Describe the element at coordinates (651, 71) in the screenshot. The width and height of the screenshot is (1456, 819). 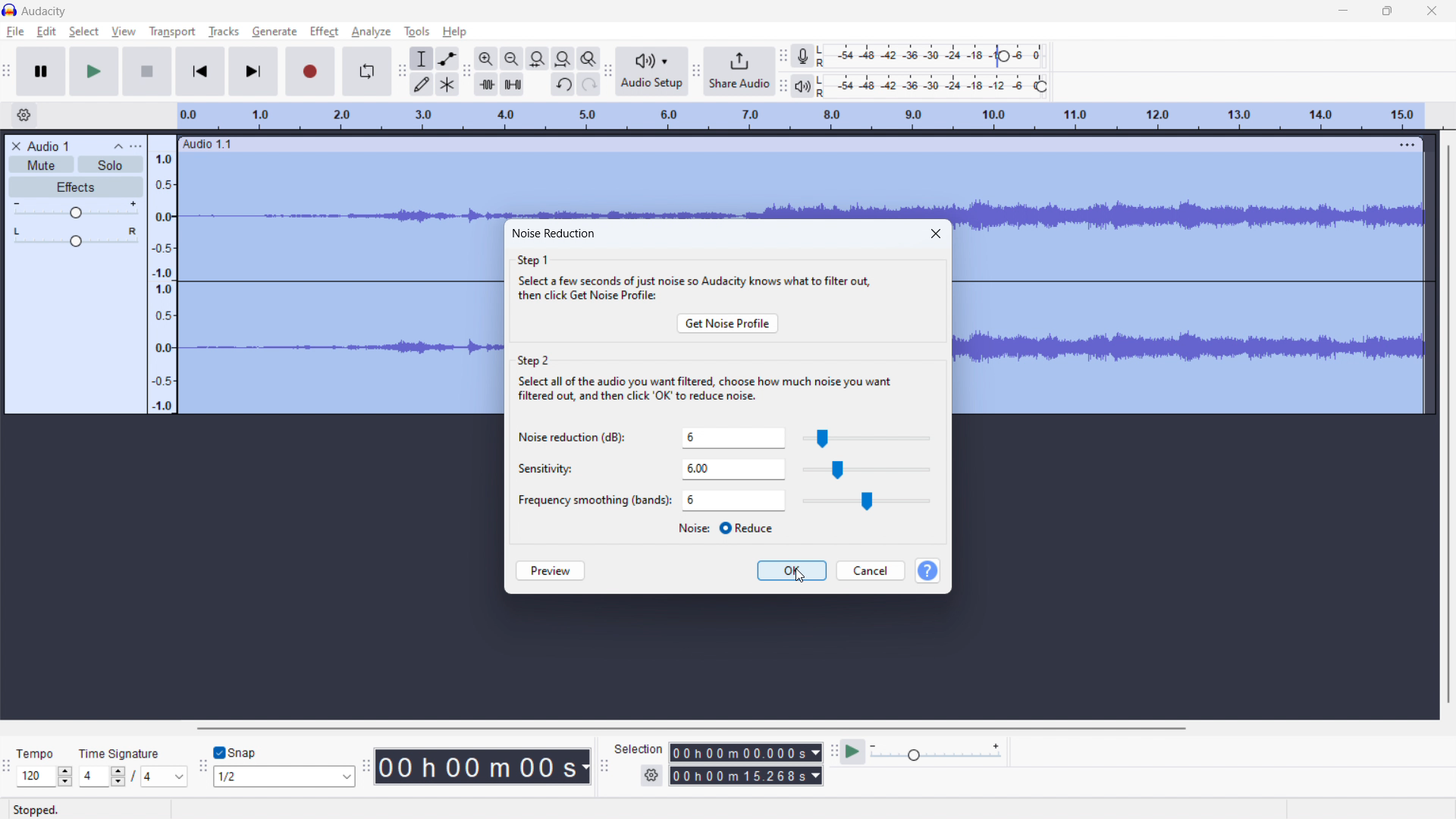
I see `audio setup` at that location.